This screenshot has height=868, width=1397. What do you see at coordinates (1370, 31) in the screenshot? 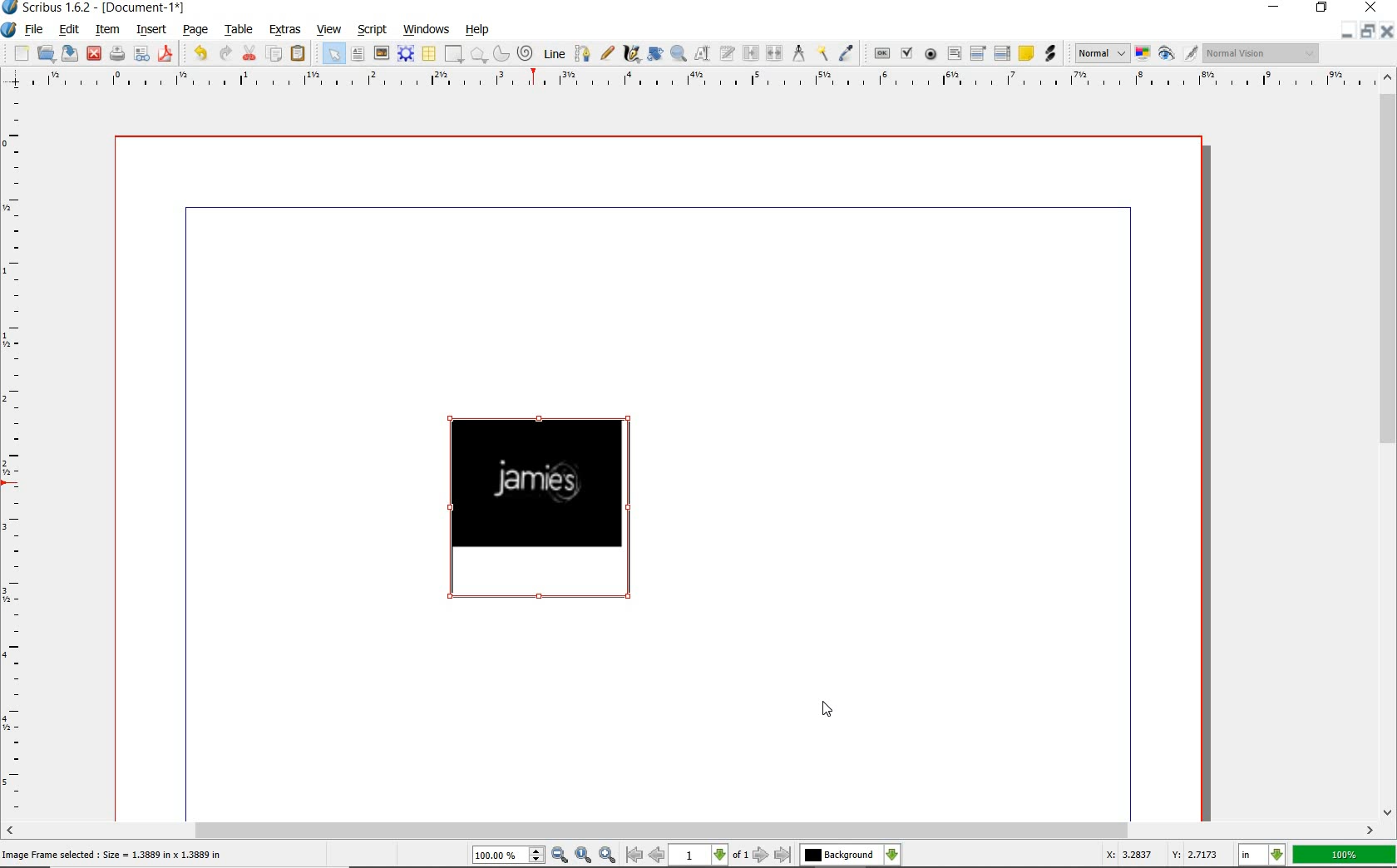
I see `RESTORE` at bounding box center [1370, 31].